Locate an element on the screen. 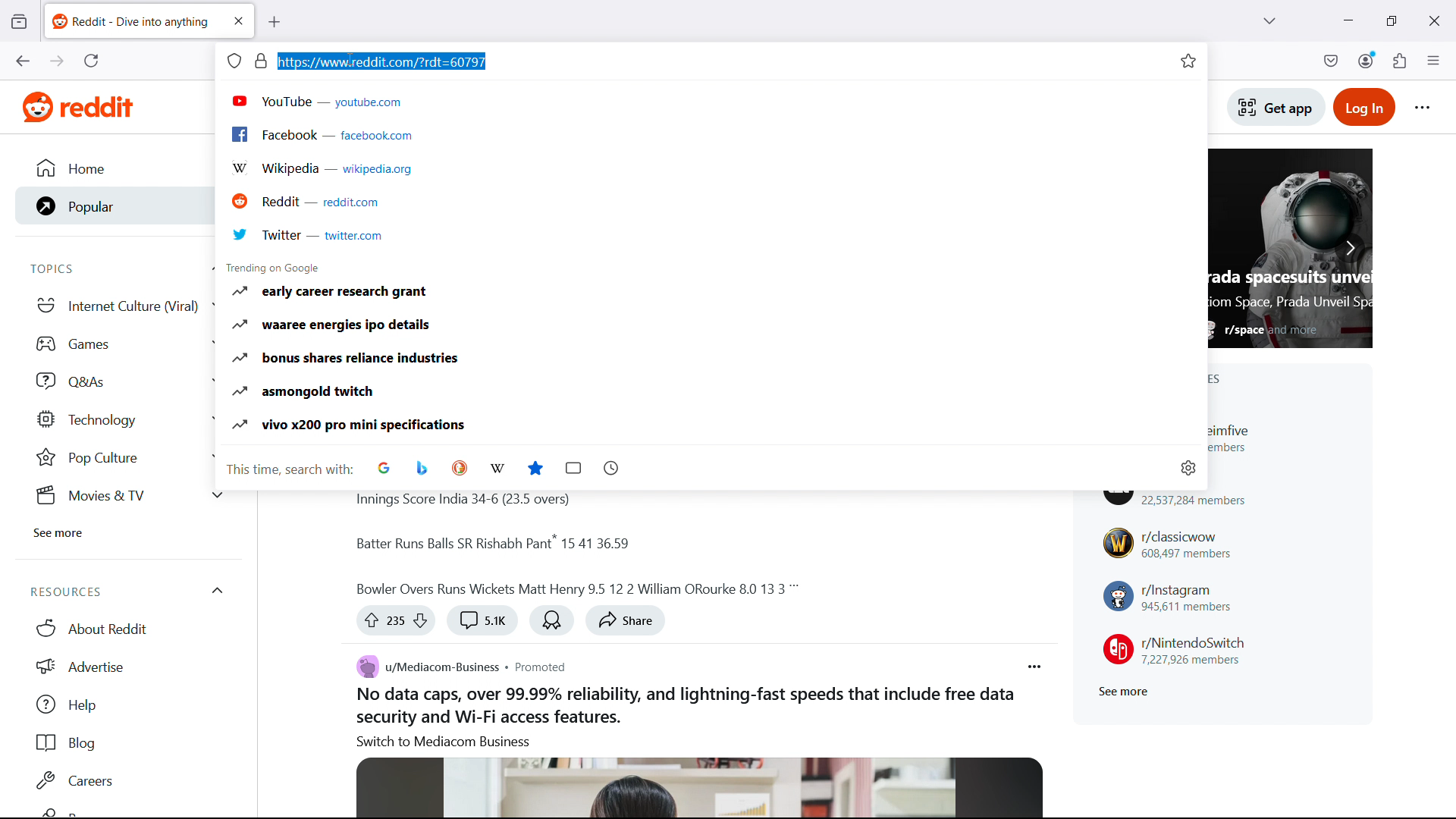 The image size is (1456, 819). Movies  & tv is located at coordinates (109, 497).